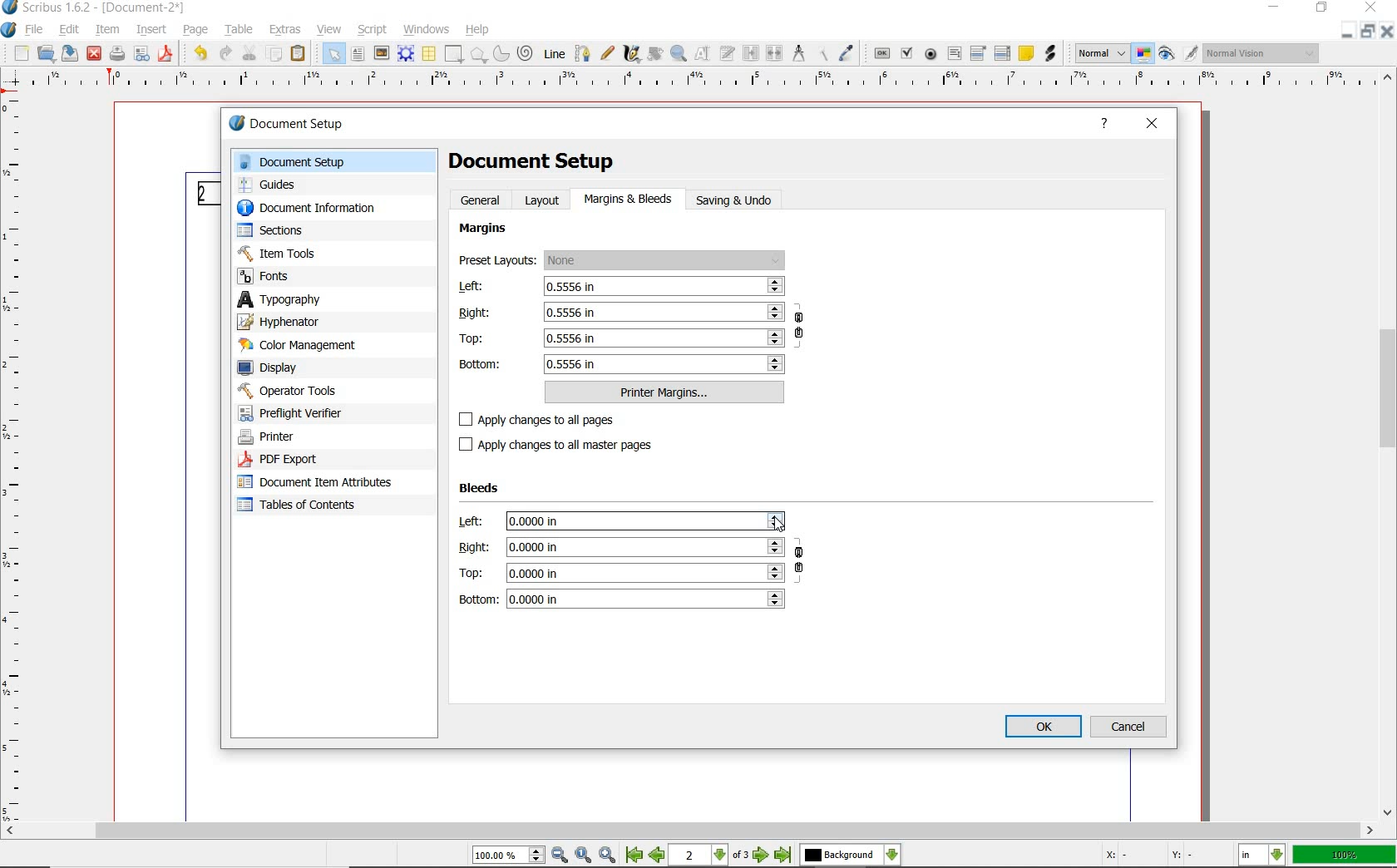 Image resolution: width=1397 pixels, height=868 pixels. What do you see at coordinates (328, 29) in the screenshot?
I see `view` at bounding box center [328, 29].